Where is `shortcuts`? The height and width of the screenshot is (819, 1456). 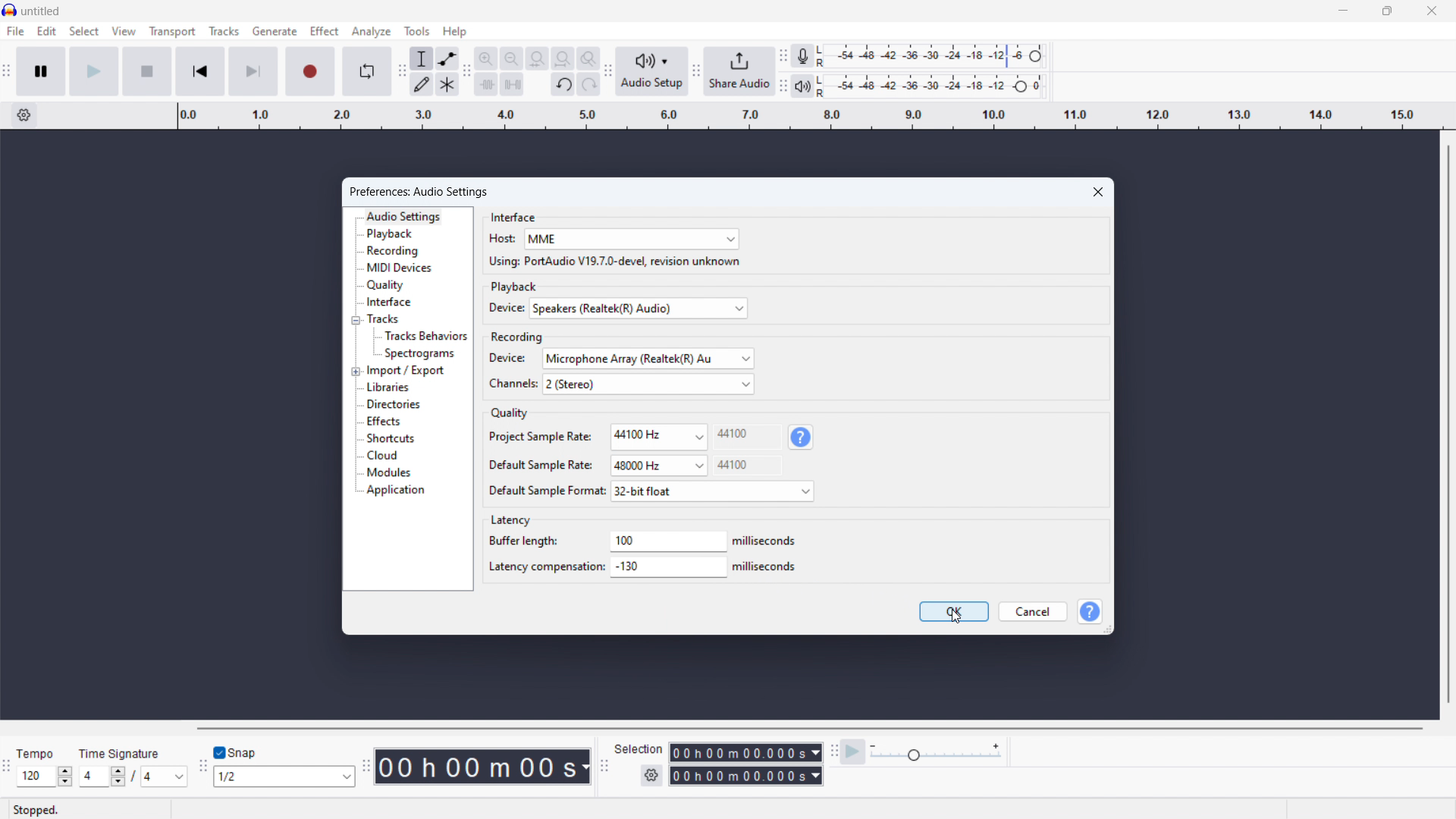 shortcuts is located at coordinates (390, 438).